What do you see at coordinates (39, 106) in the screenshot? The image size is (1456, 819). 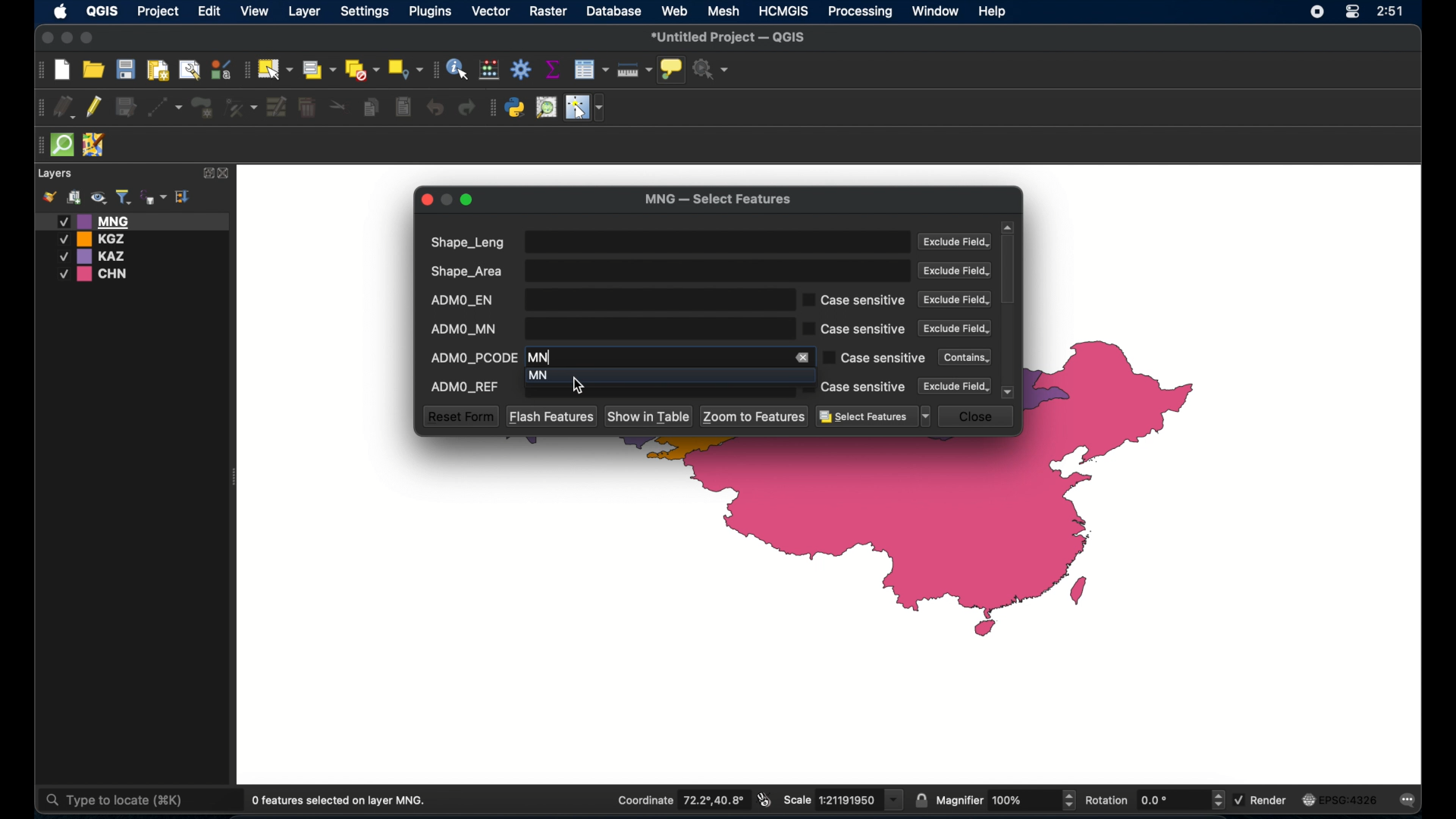 I see `drag handle` at bounding box center [39, 106].